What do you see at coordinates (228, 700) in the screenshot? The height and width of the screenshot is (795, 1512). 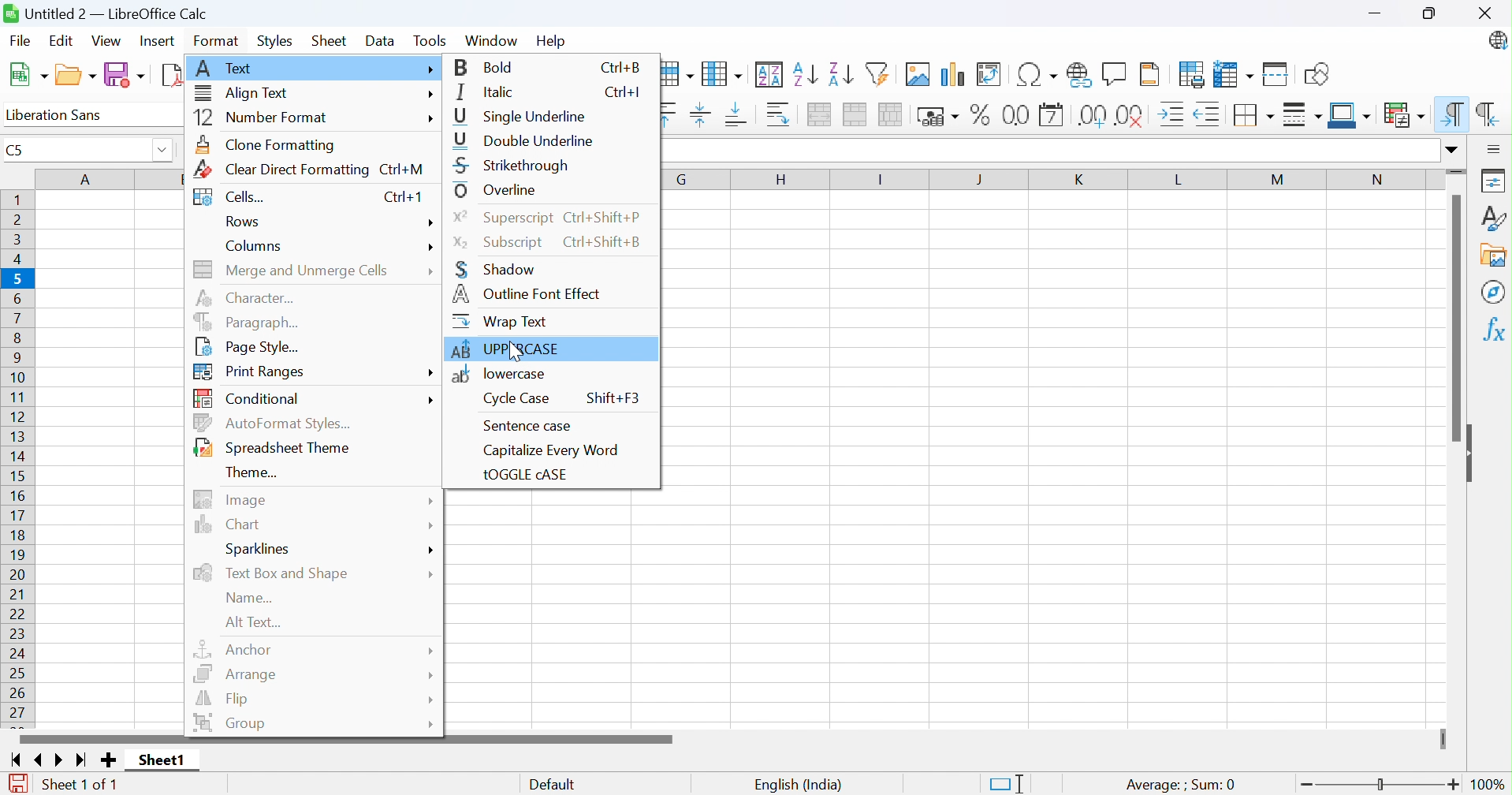 I see `Flip` at bounding box center [228, 700].